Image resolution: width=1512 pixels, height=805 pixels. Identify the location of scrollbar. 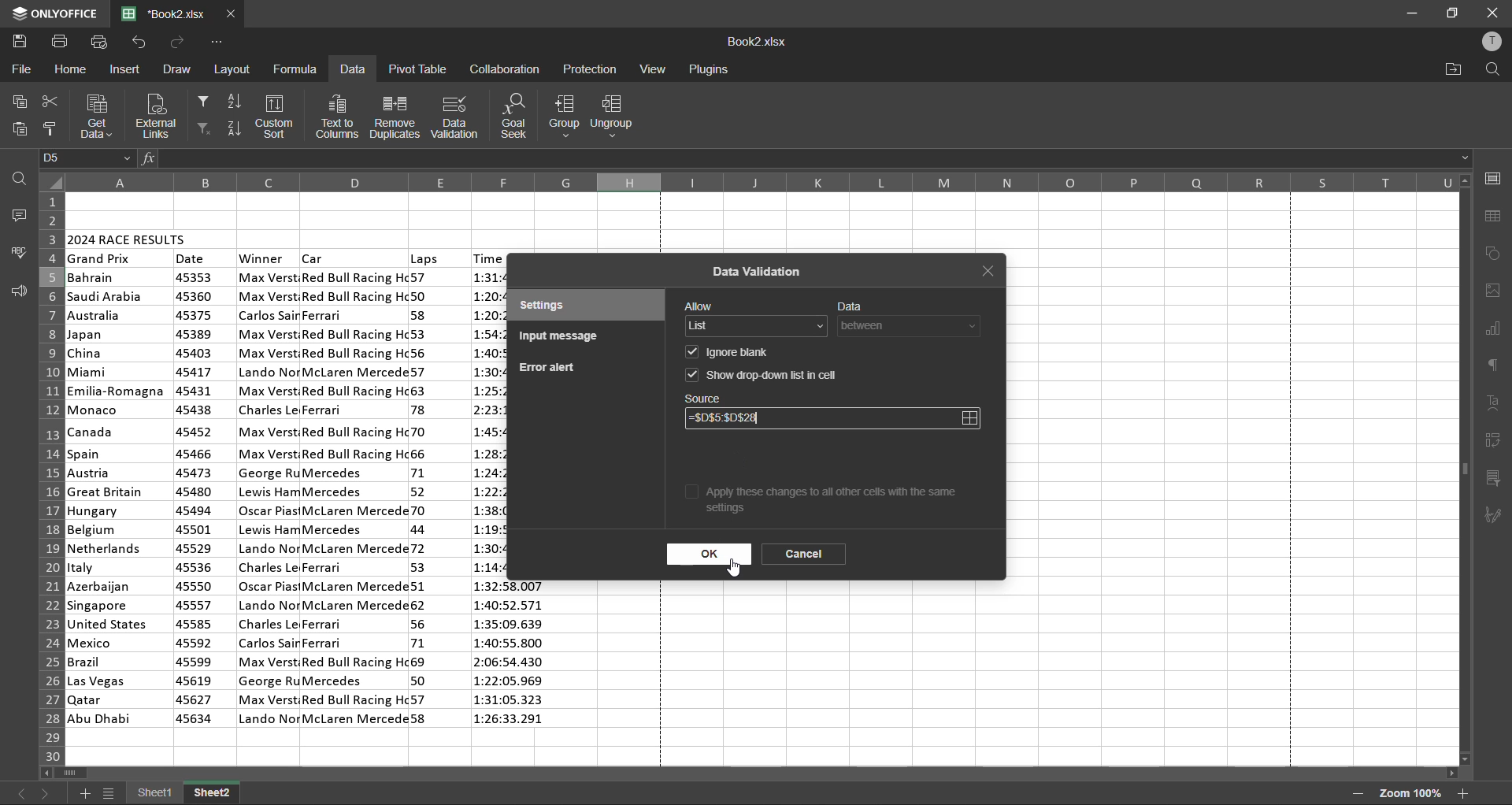
(1465, 469).